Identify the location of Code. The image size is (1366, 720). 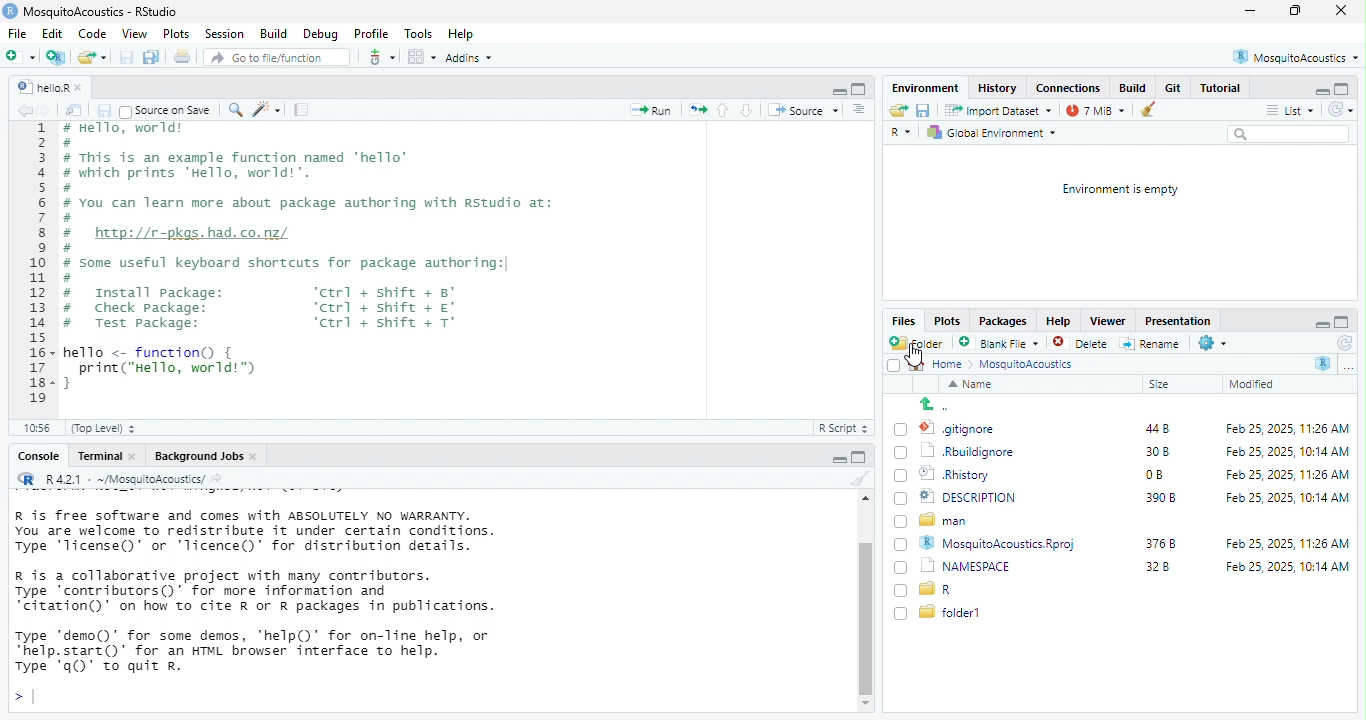
(91, 34).